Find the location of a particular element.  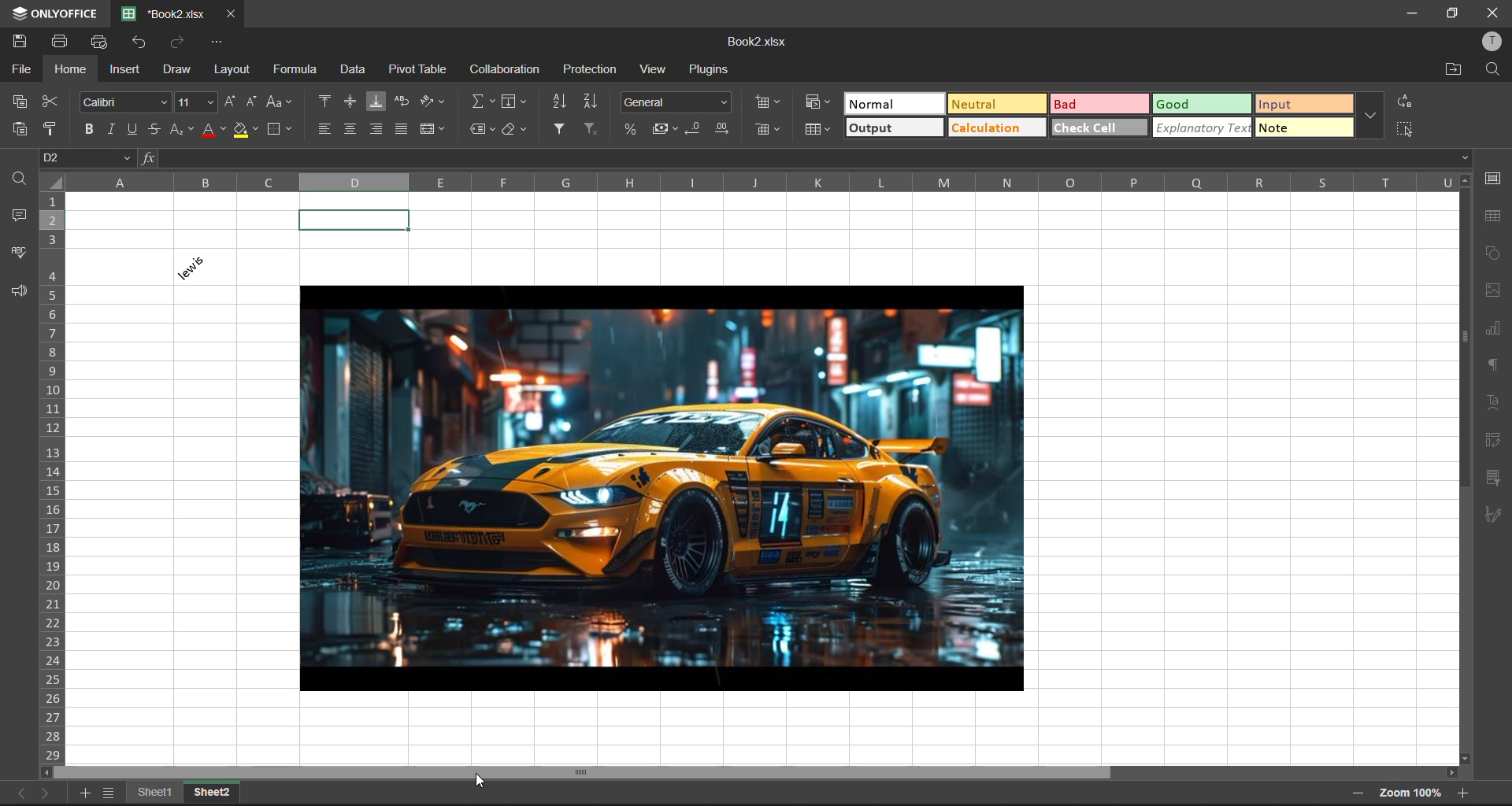

font style is located at coordinates (127, 102).